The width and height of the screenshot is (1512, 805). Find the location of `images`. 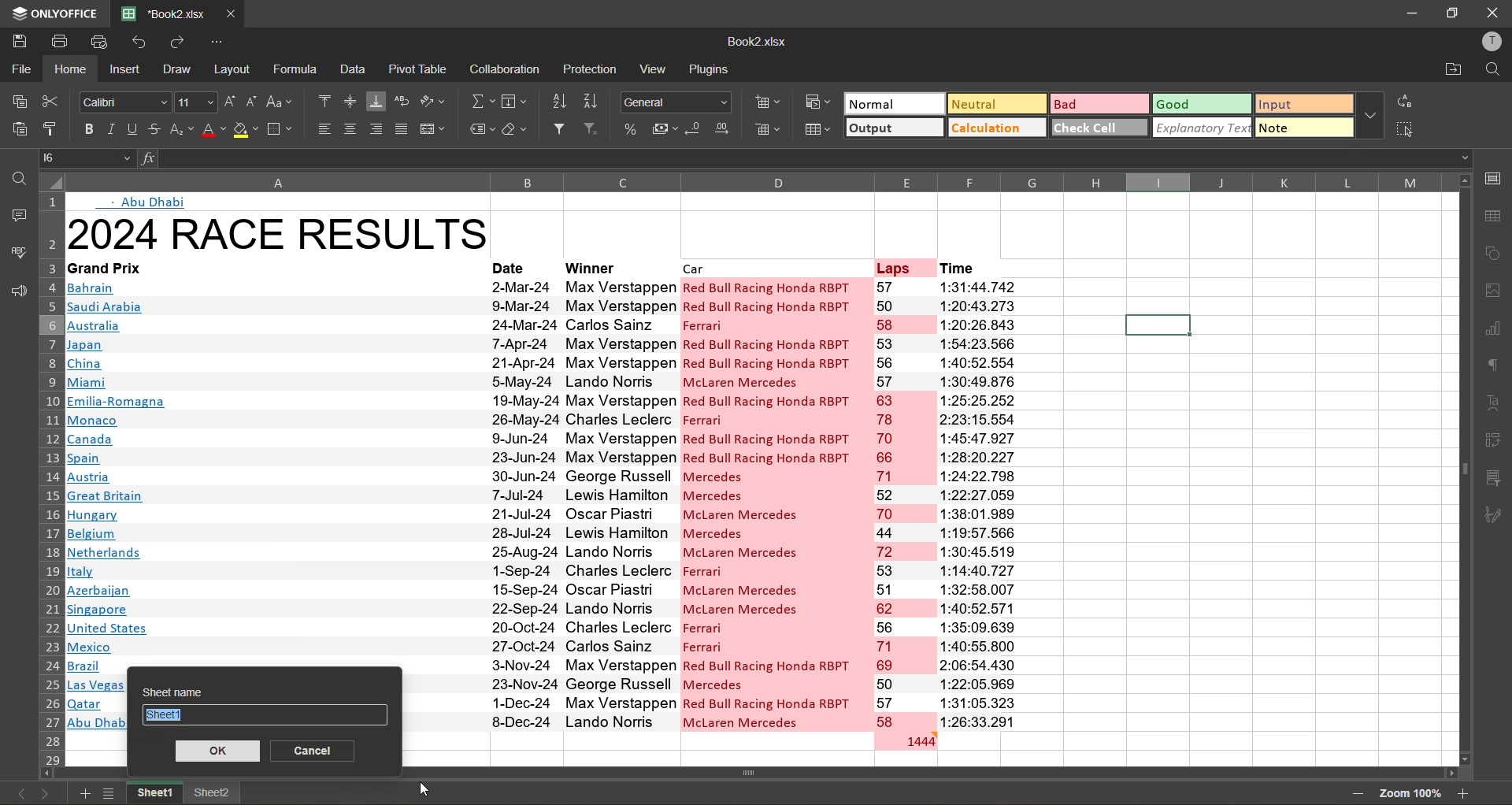

images is located at coordinates (1492, 291).